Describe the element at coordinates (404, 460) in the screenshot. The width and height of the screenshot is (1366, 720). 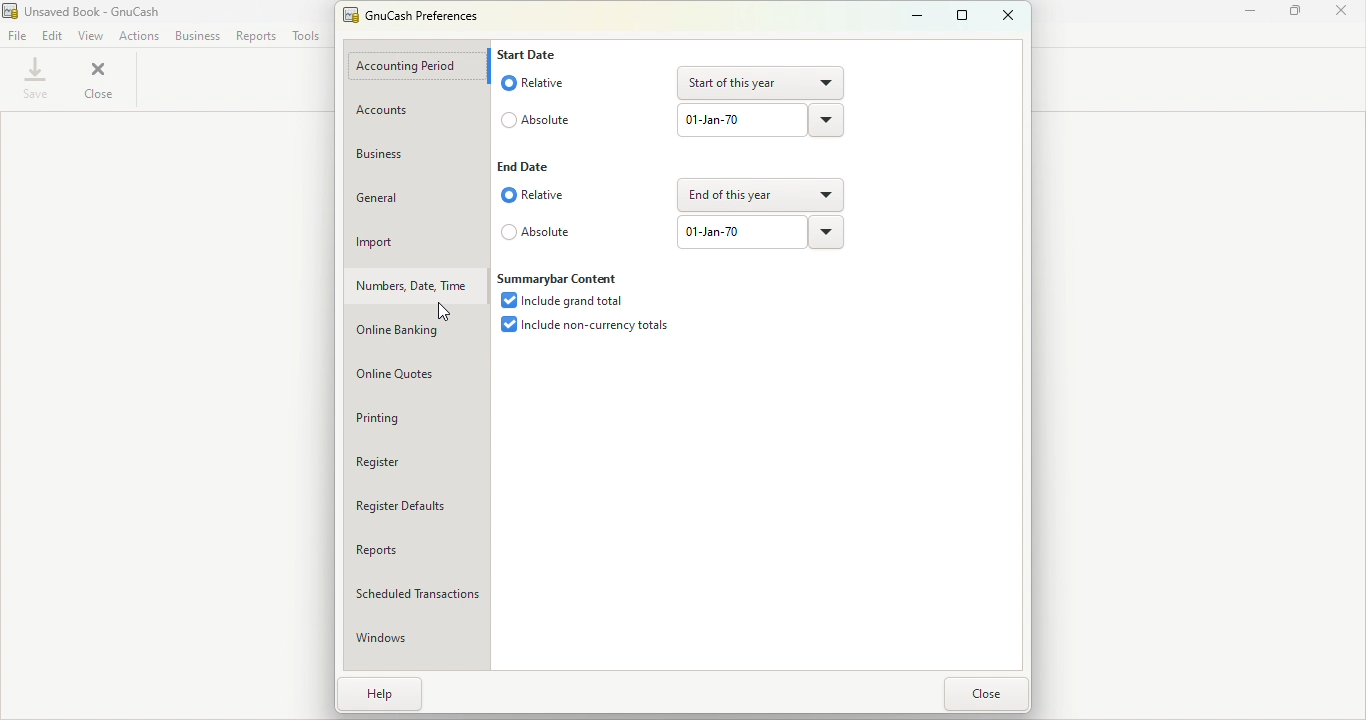
I see `Register` at that location.